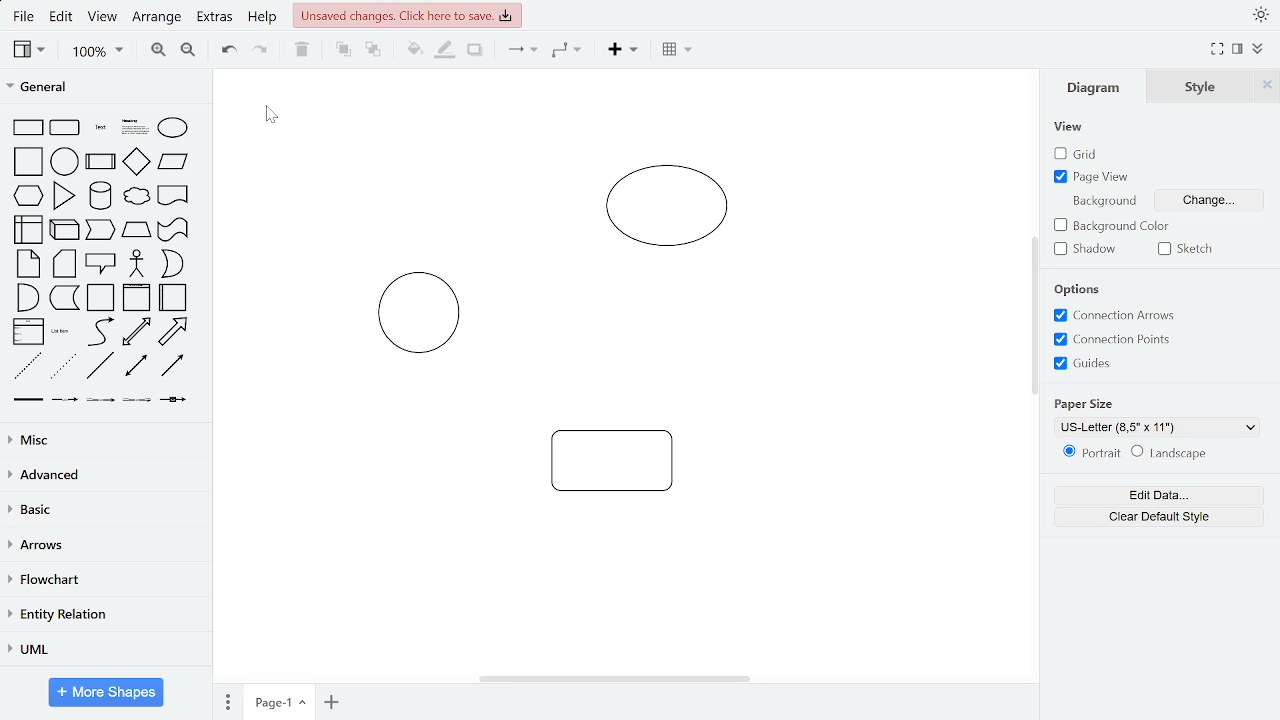 The image size is (1280, 720). Describe the element at coordinates (102, 298) in the screenshot. I see `container` at that location.